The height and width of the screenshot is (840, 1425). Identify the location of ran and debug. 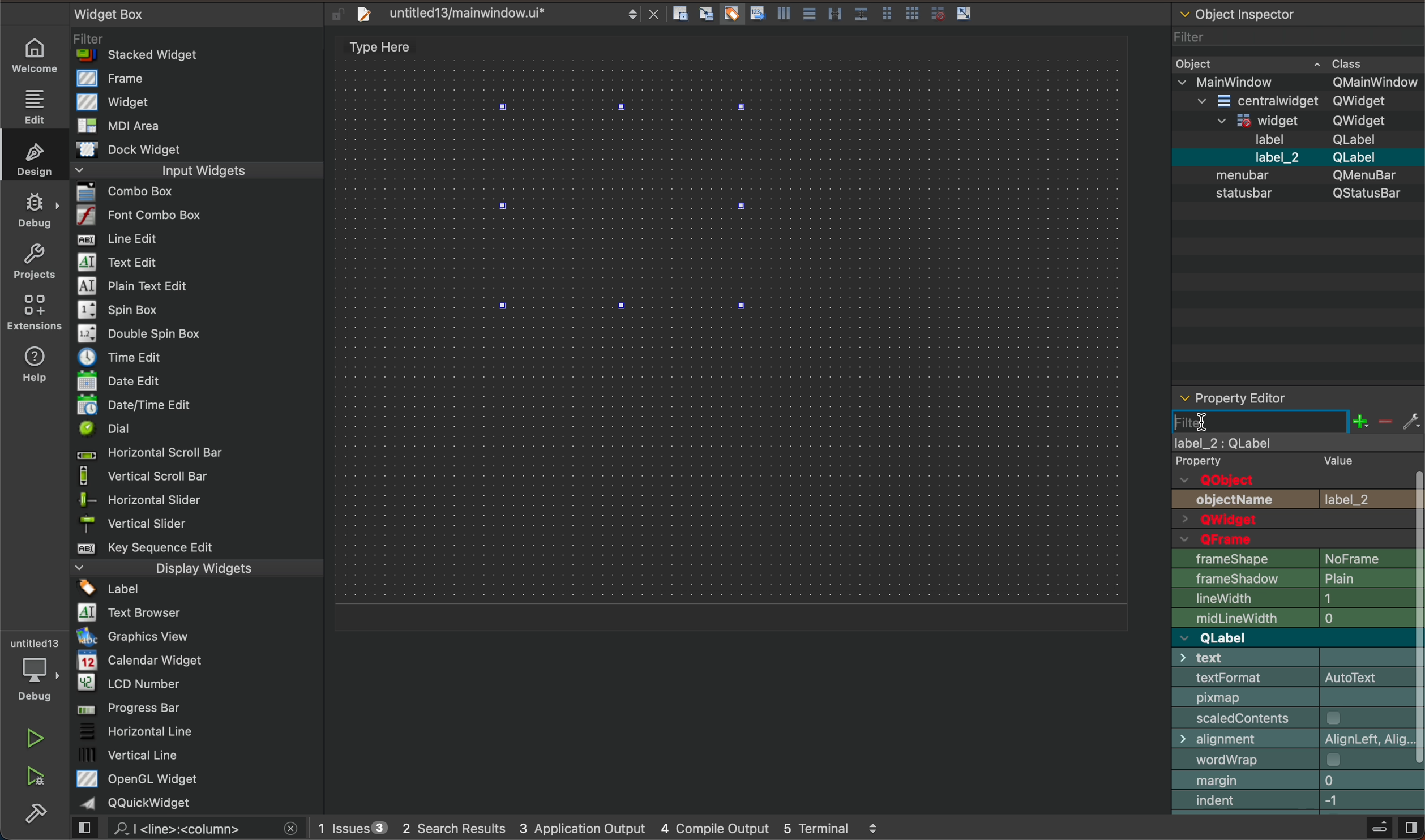
(43, 778).